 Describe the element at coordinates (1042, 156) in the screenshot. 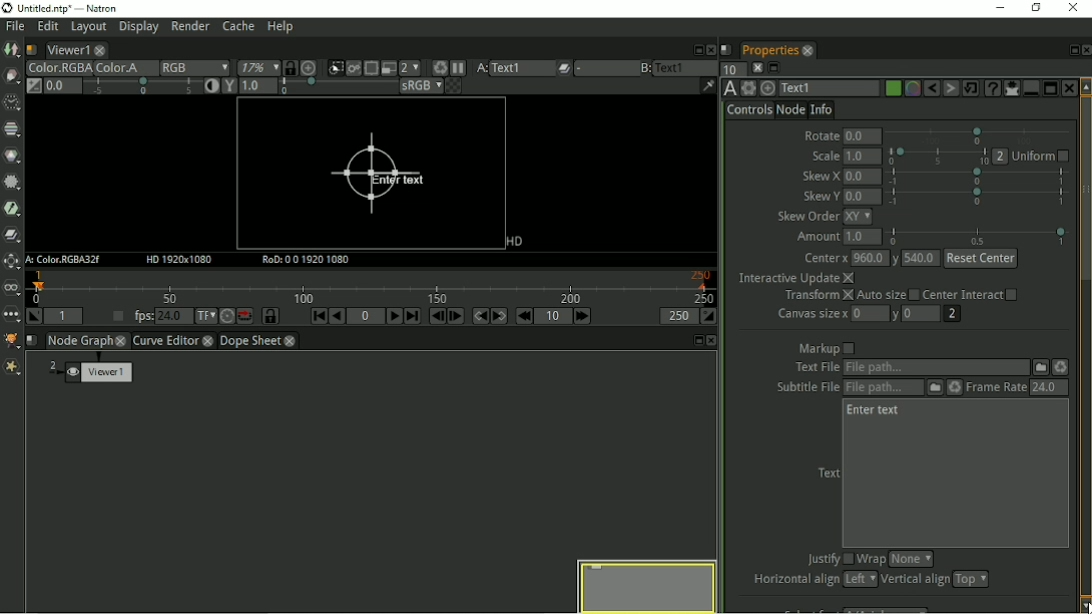

I see `Uniform` at that location.